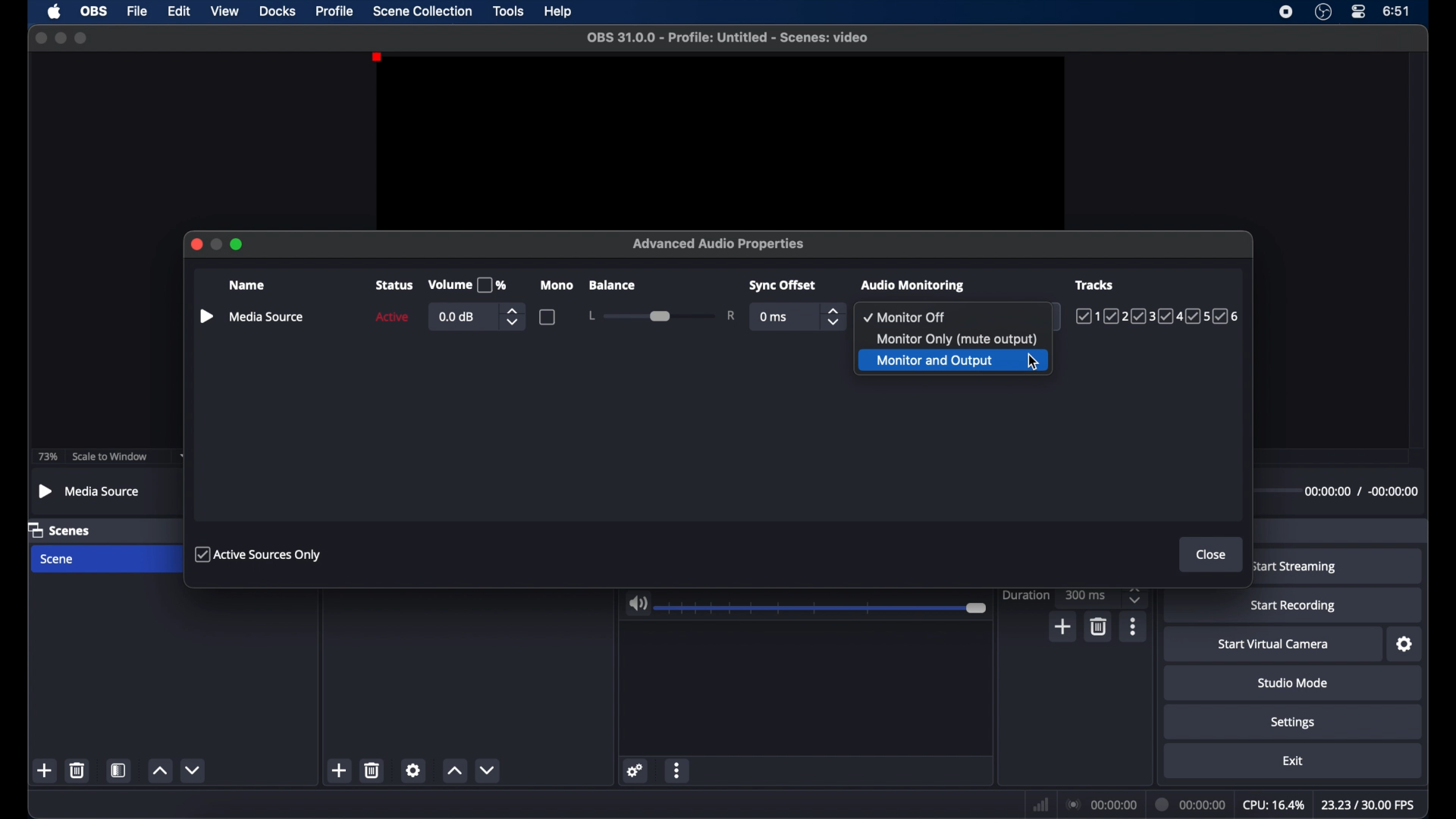  I want to click on obsstudio, so click(1323, 12).